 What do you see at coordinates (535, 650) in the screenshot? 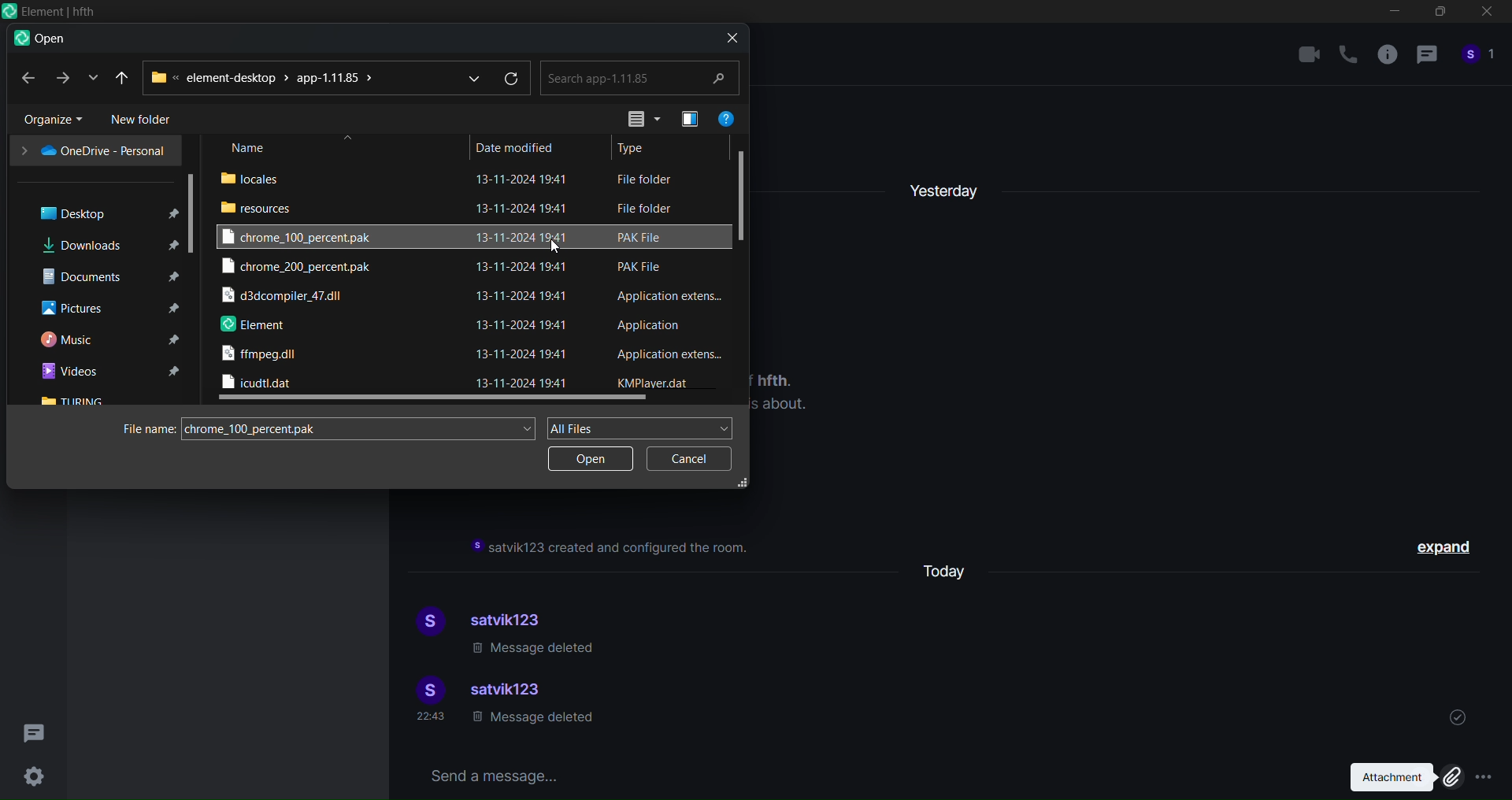
I see `message deleted` at bounding box center [535, 650].